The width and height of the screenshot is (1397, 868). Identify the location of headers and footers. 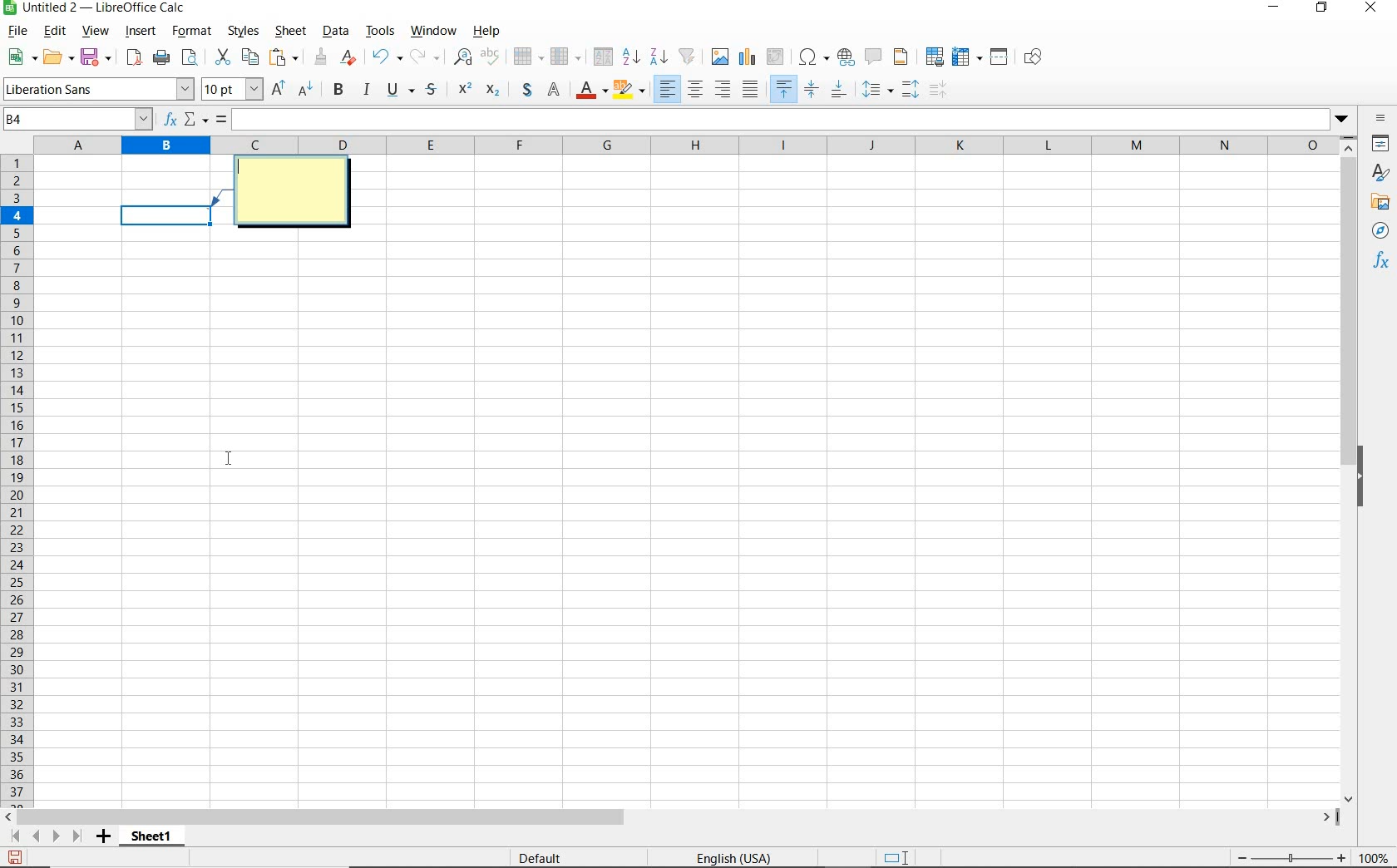
(902, 57).